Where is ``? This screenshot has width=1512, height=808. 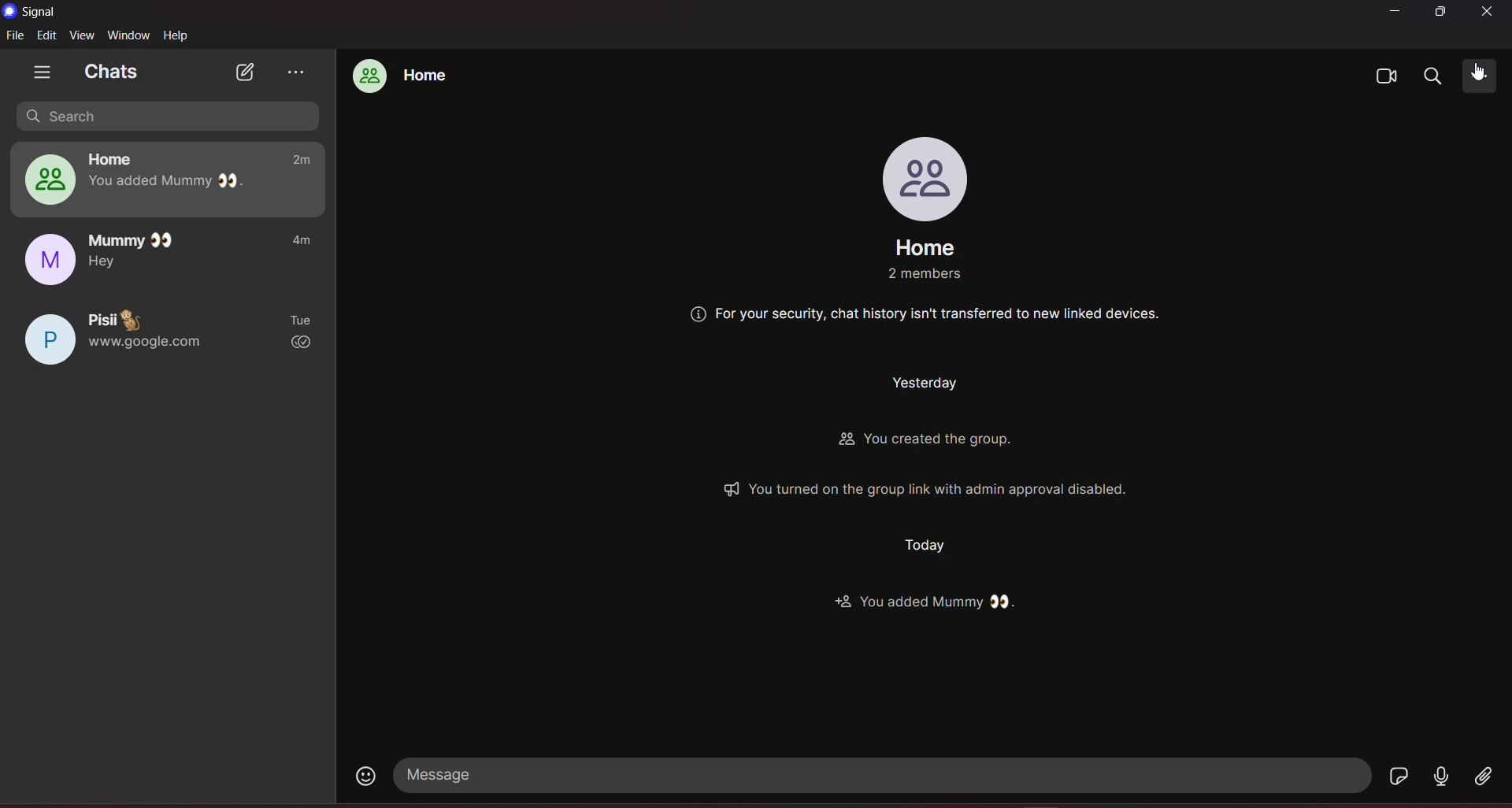
 is located at coordinates (925, 490).